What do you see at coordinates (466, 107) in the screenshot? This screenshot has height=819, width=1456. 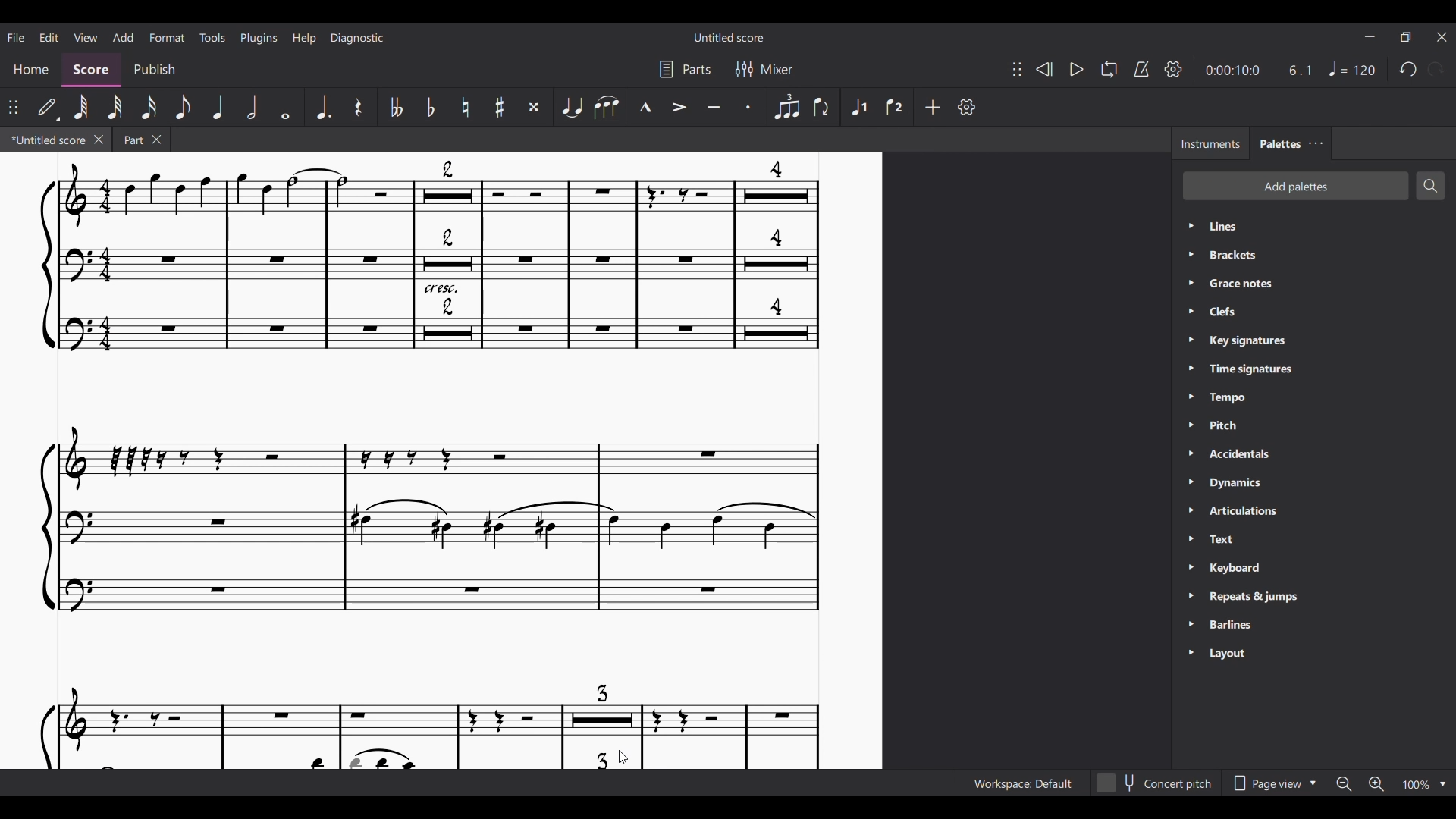 I see `Toggle natural` at bounding box center [466, 107].